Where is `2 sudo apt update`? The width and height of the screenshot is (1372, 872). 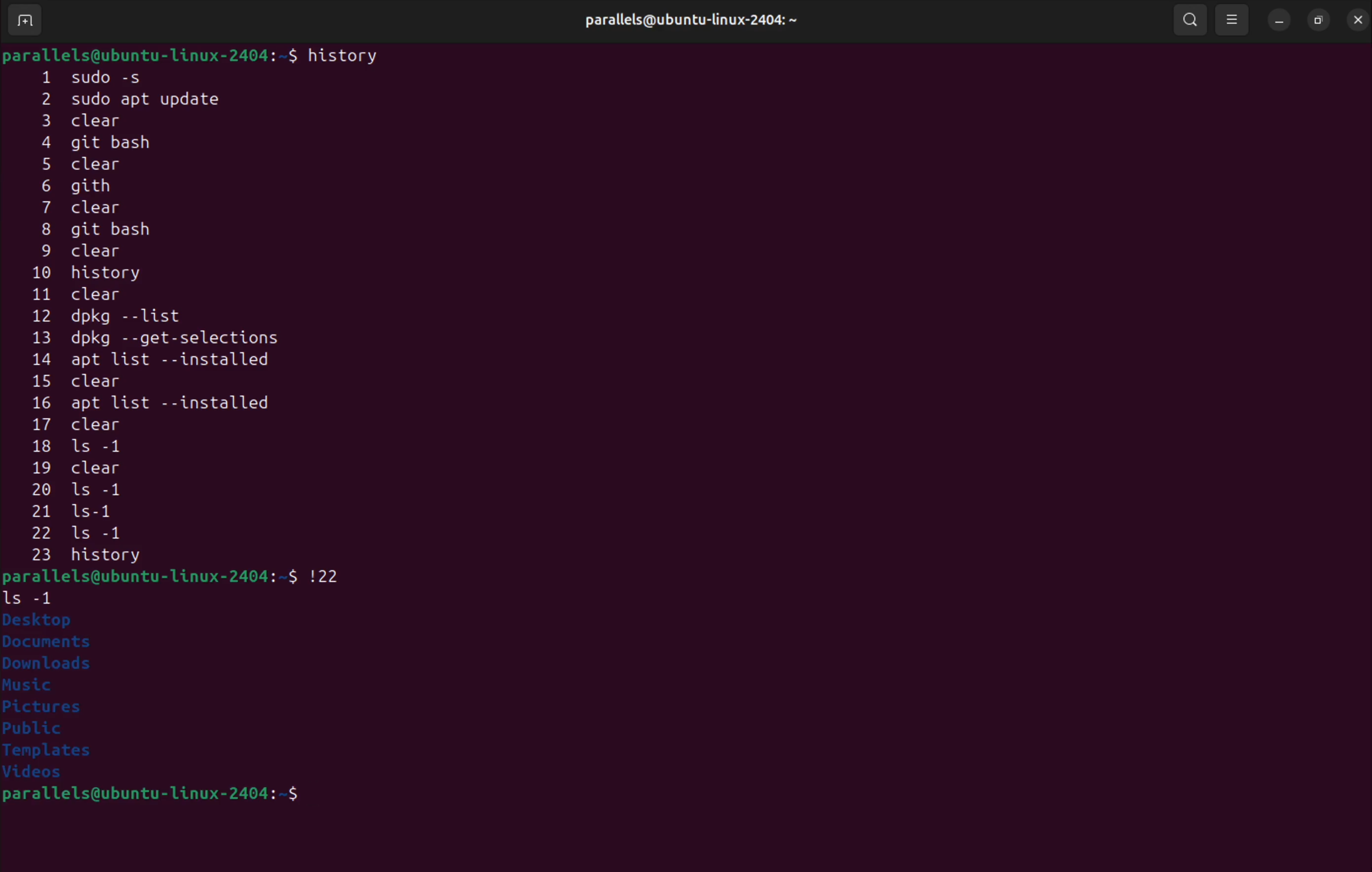 2 sudo apt update is located at coordinates (141, 100).